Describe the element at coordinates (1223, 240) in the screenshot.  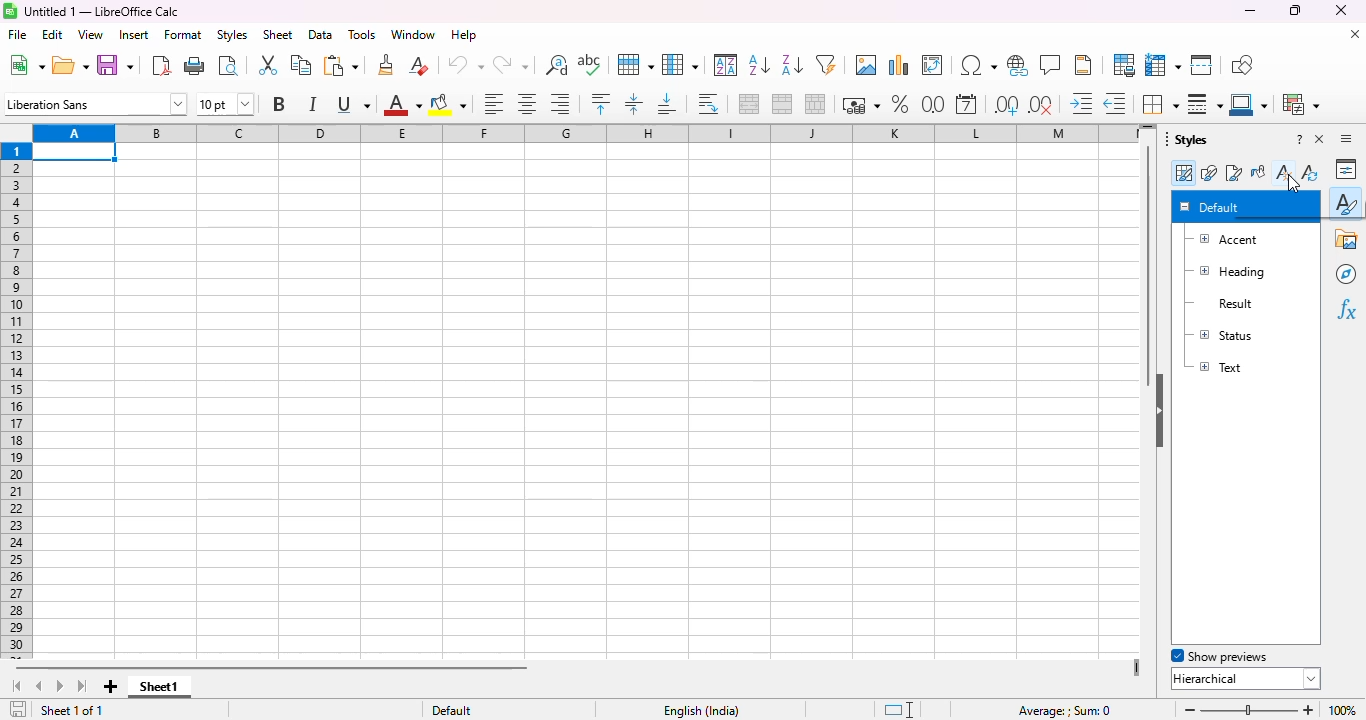
I see `accent` at that location.